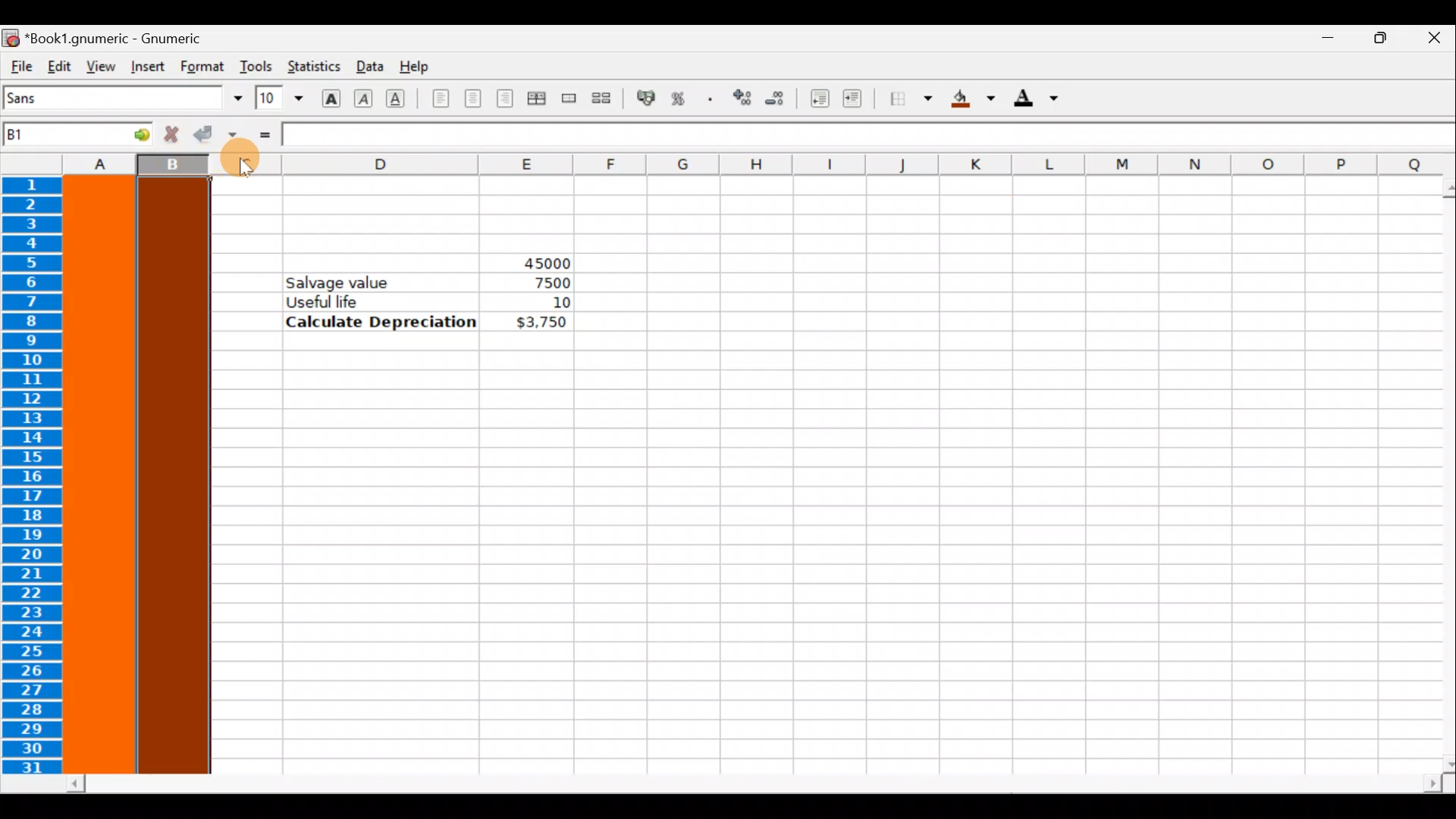 The width and height of the screenshot is (1456, 819). What do you see at coordinates (238, 168) in the screenshot?
I see `Cursor on column C` at bounding box center [238, 168].